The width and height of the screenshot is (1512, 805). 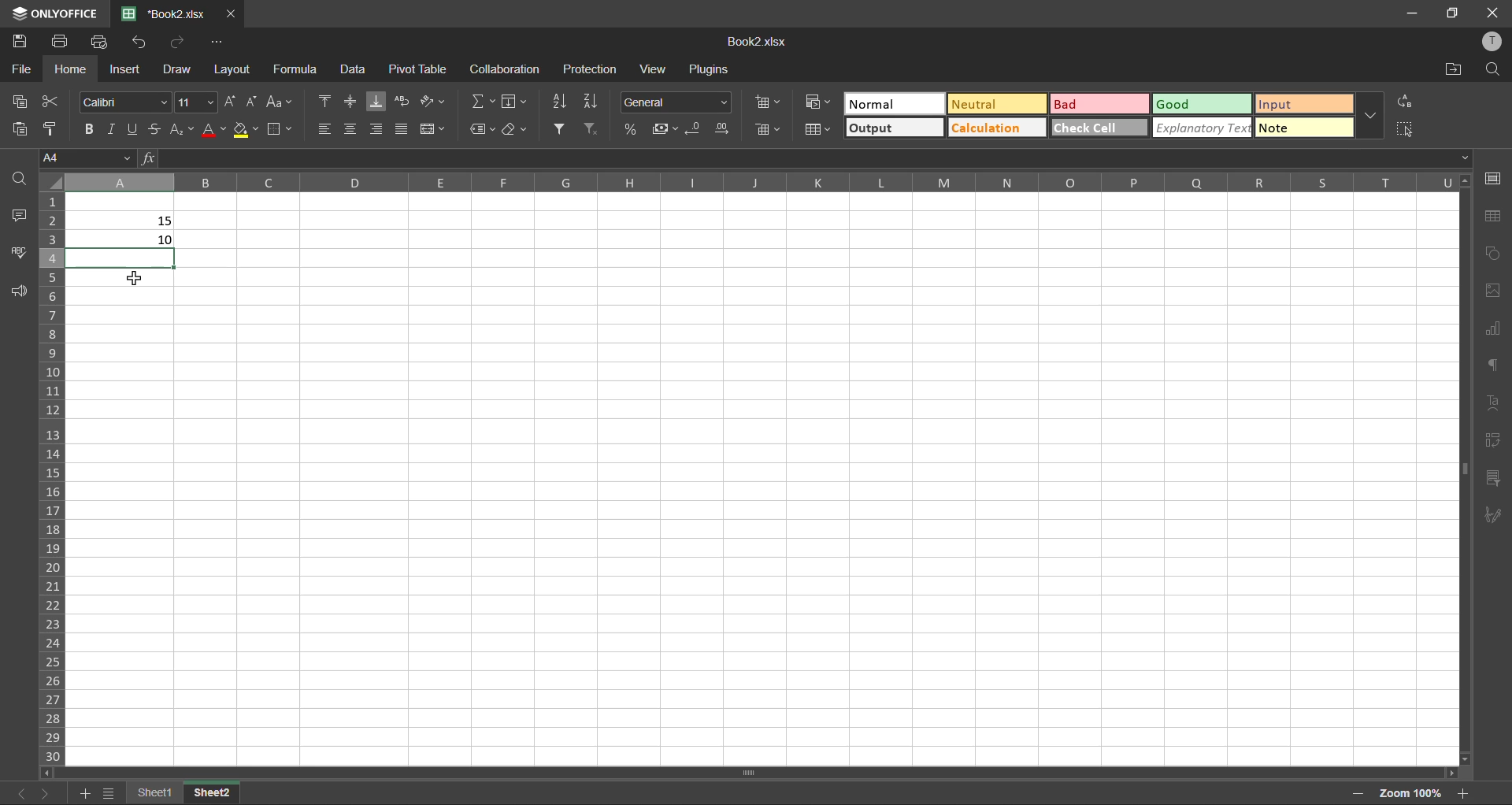 What do you see at coordinates (503, 70) in the screenshot?
I see `collaboration` at bounding box center [503, 70].